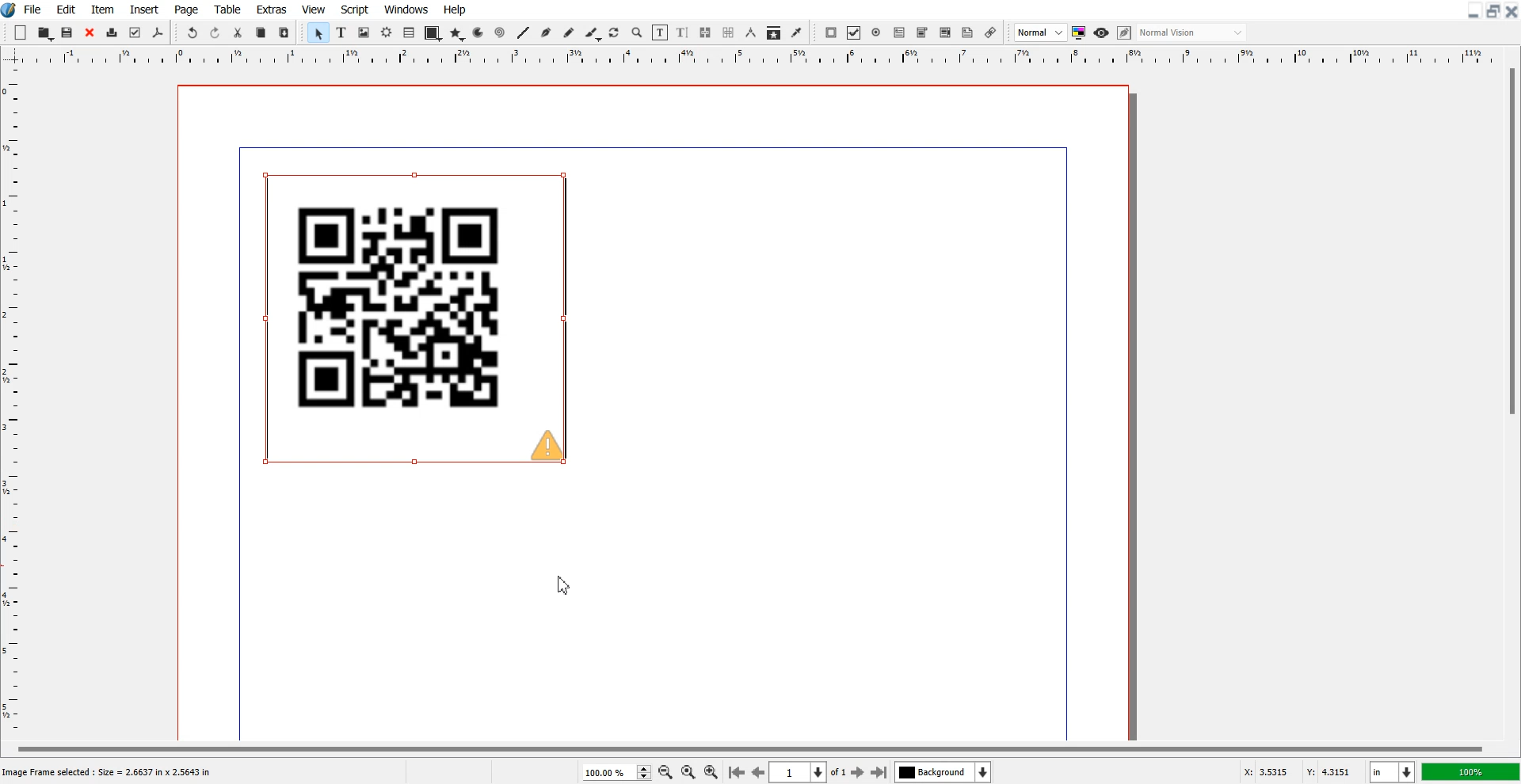  Describe the element at coordinates (1101, 32) in the screenshot. I see `Preview` at that location.